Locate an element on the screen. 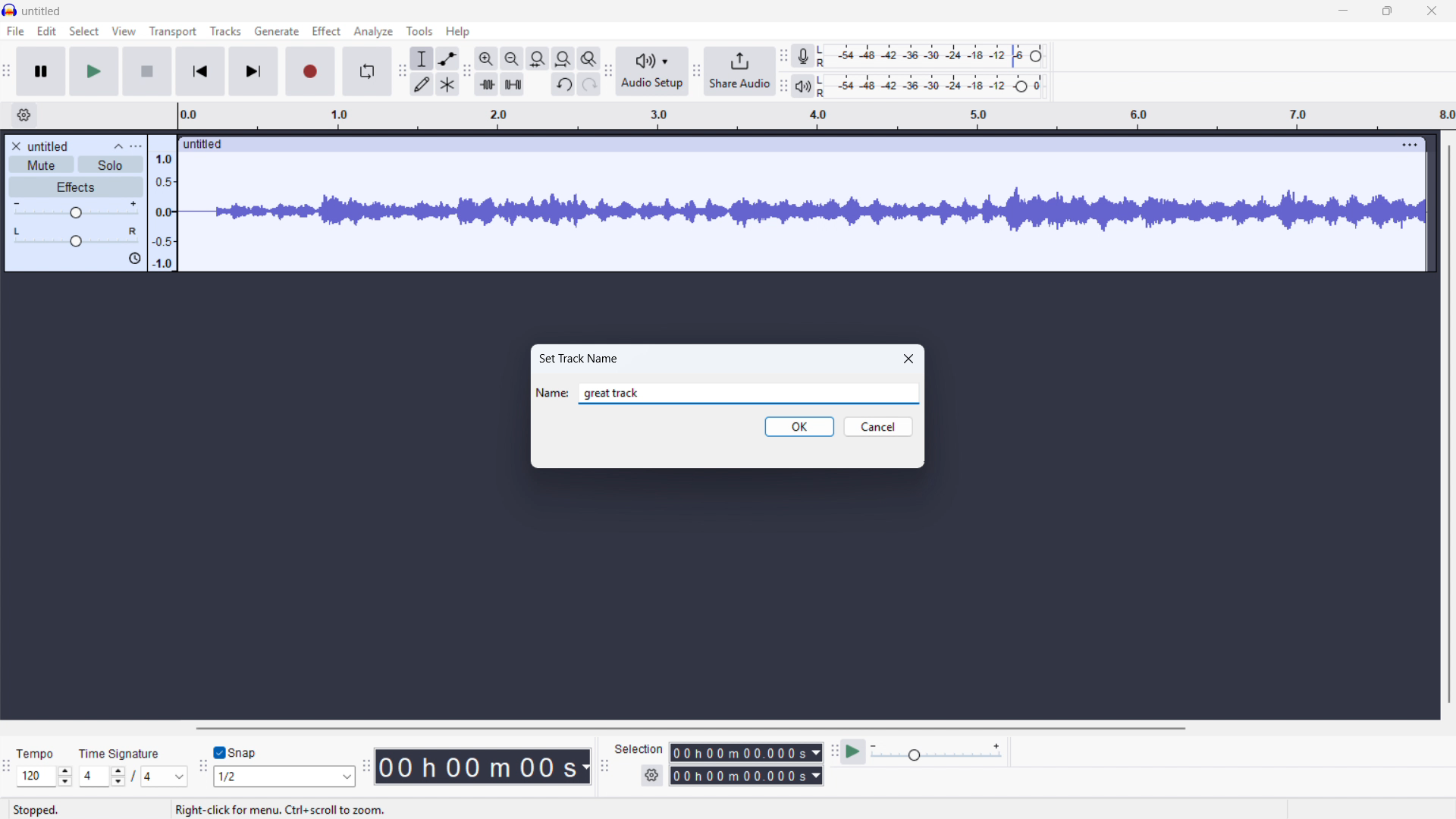 This screenshot has height=819, width=1456. Playback metre  is located at coordinates (803, 87).